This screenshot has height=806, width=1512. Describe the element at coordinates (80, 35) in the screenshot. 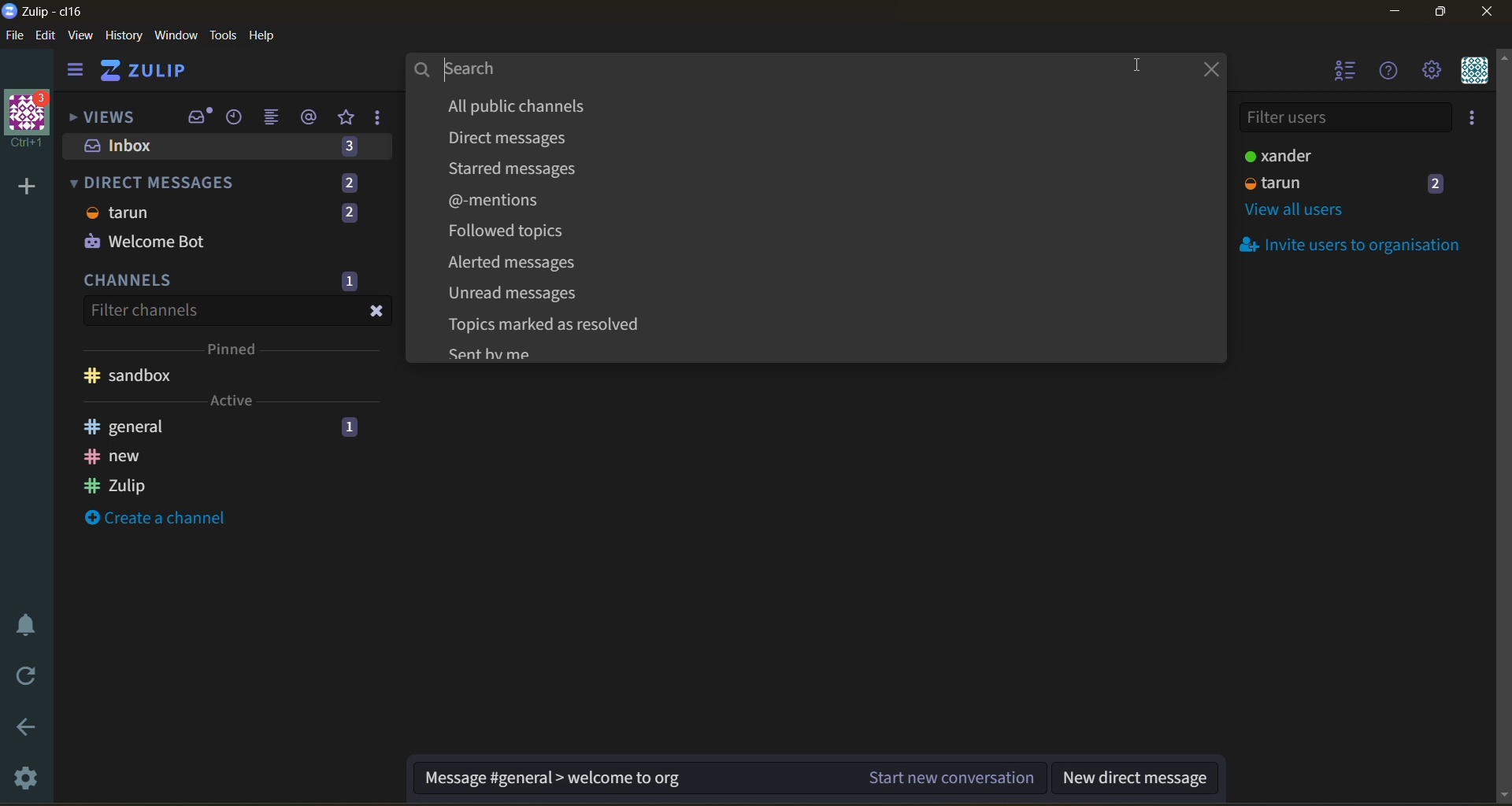

I see `view` at that location.